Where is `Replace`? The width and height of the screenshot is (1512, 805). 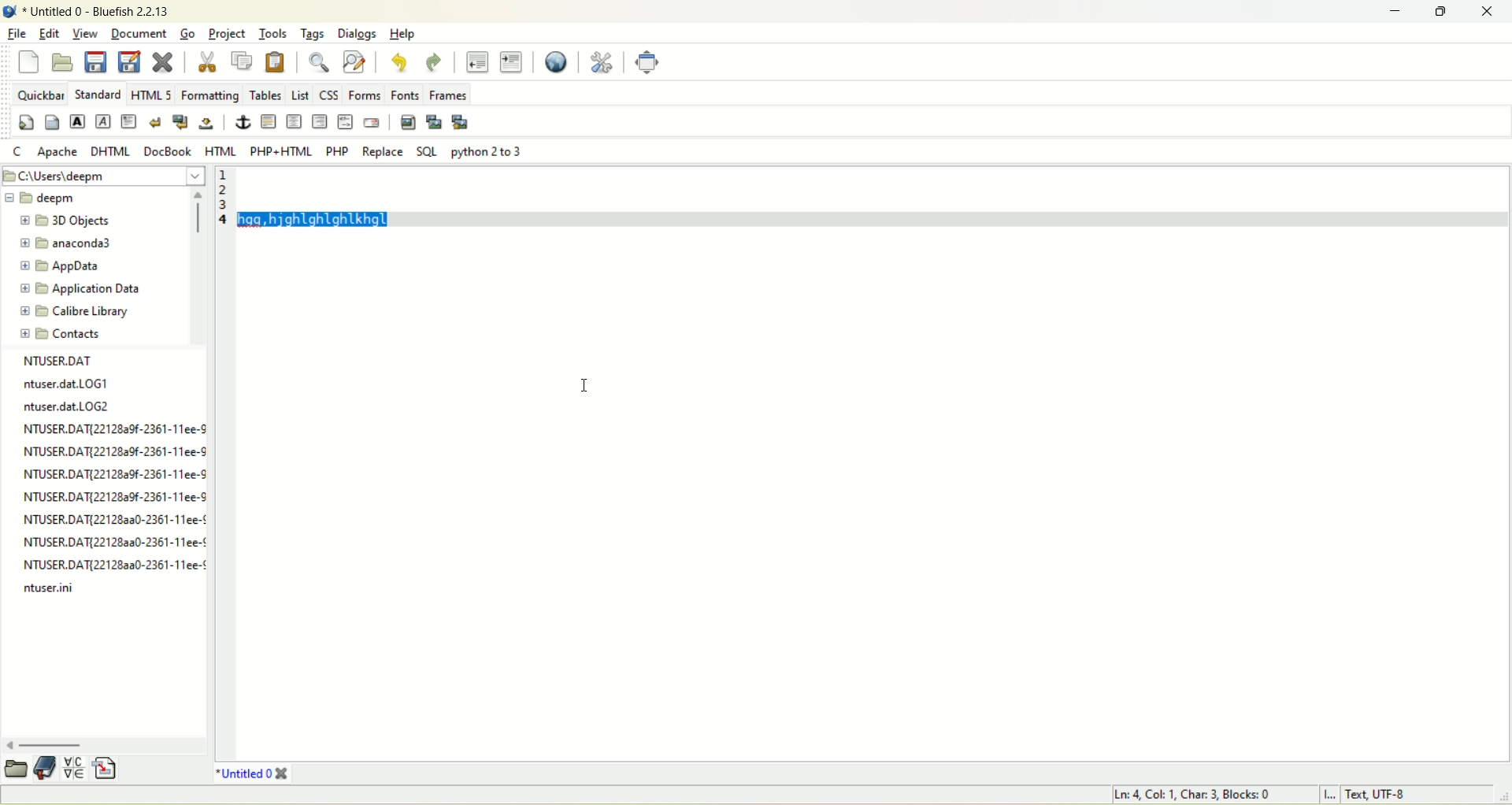
Replace is located at coordinates (381, 151).